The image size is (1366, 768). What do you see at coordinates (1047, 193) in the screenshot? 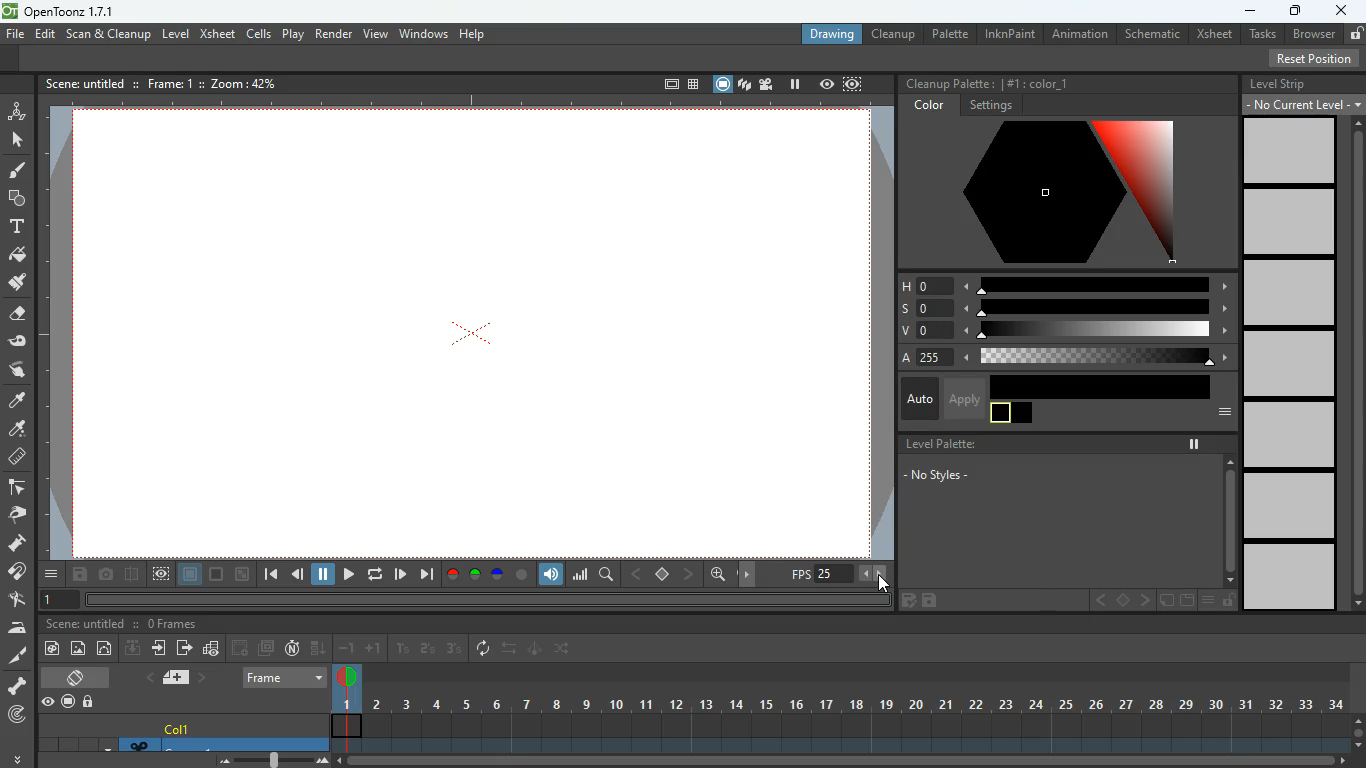
I see `color` at bounding box center [1047, 193].